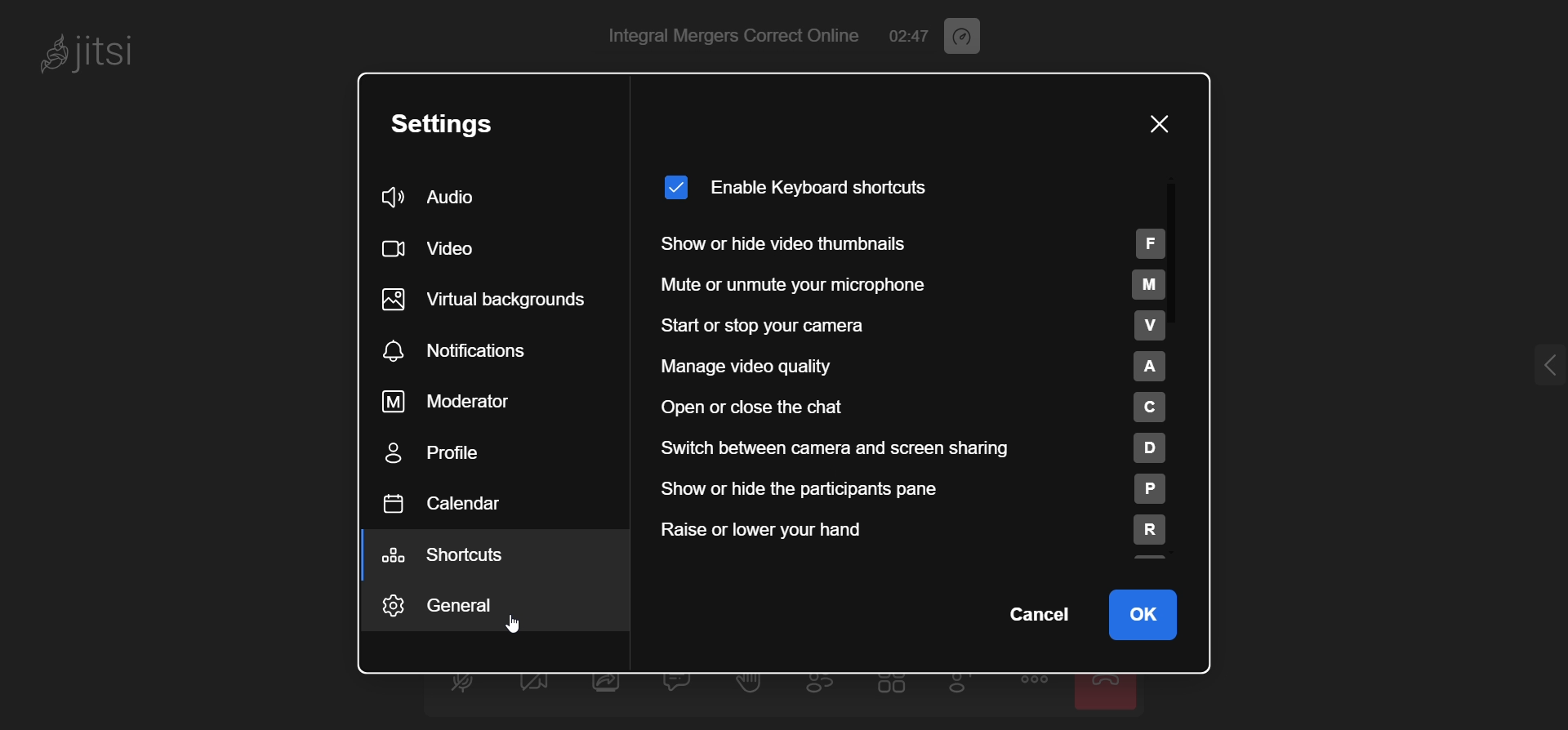 The width and height of the screenshot is (1568, 730). I want to click on shortcuts, so click(453, 555).